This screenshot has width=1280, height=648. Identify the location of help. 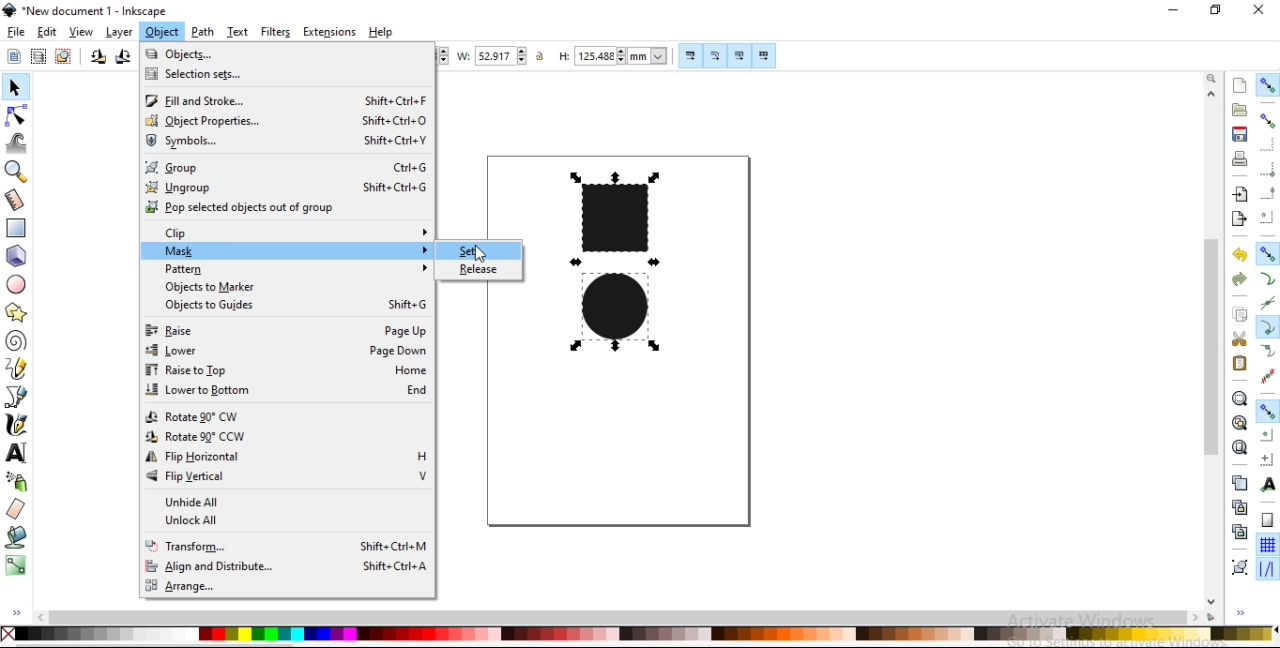
(381, 32).